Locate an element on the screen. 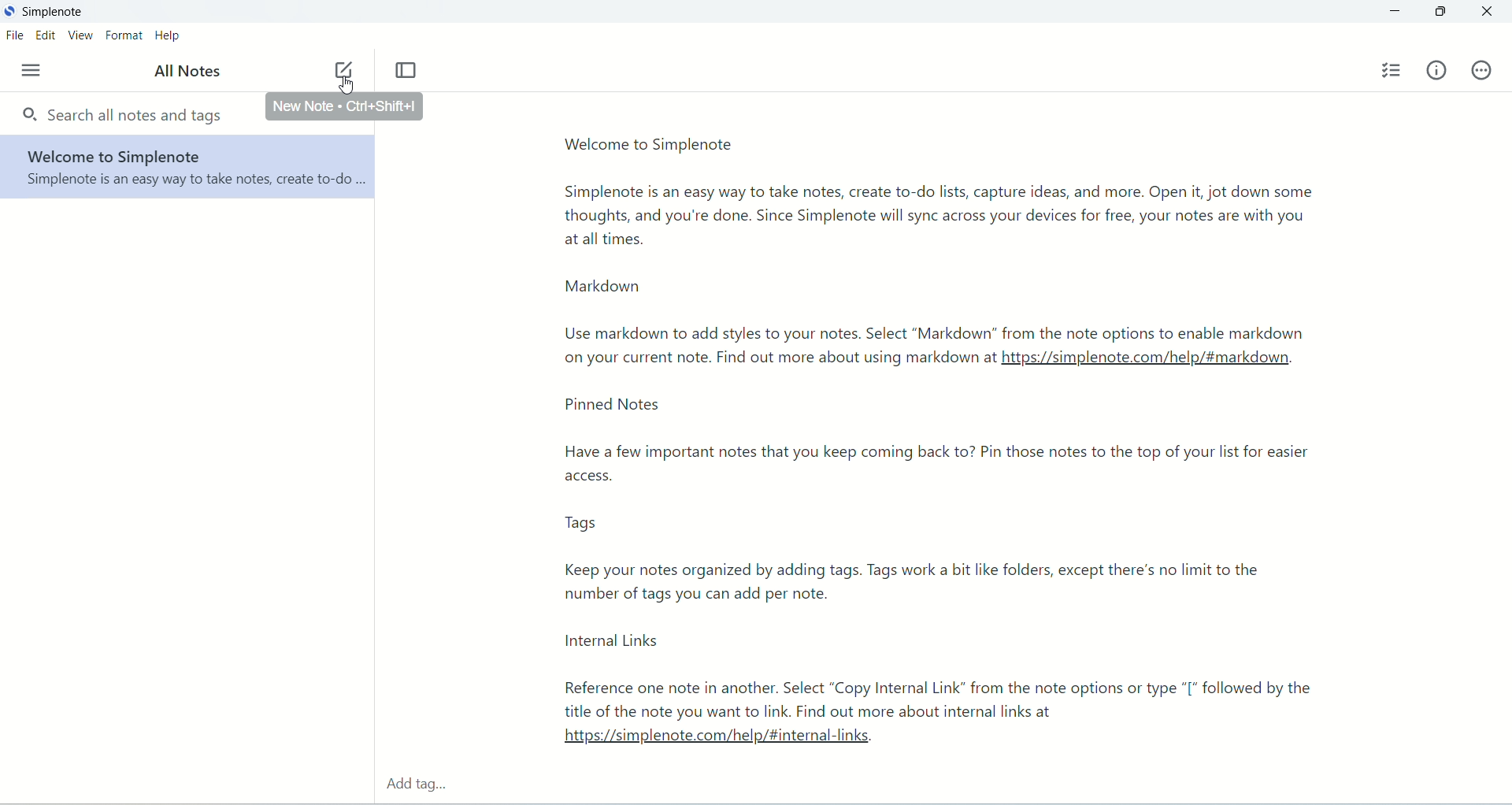 The width and height of the screenshot is (1512, 805). view is located at coordinates (81, 36).